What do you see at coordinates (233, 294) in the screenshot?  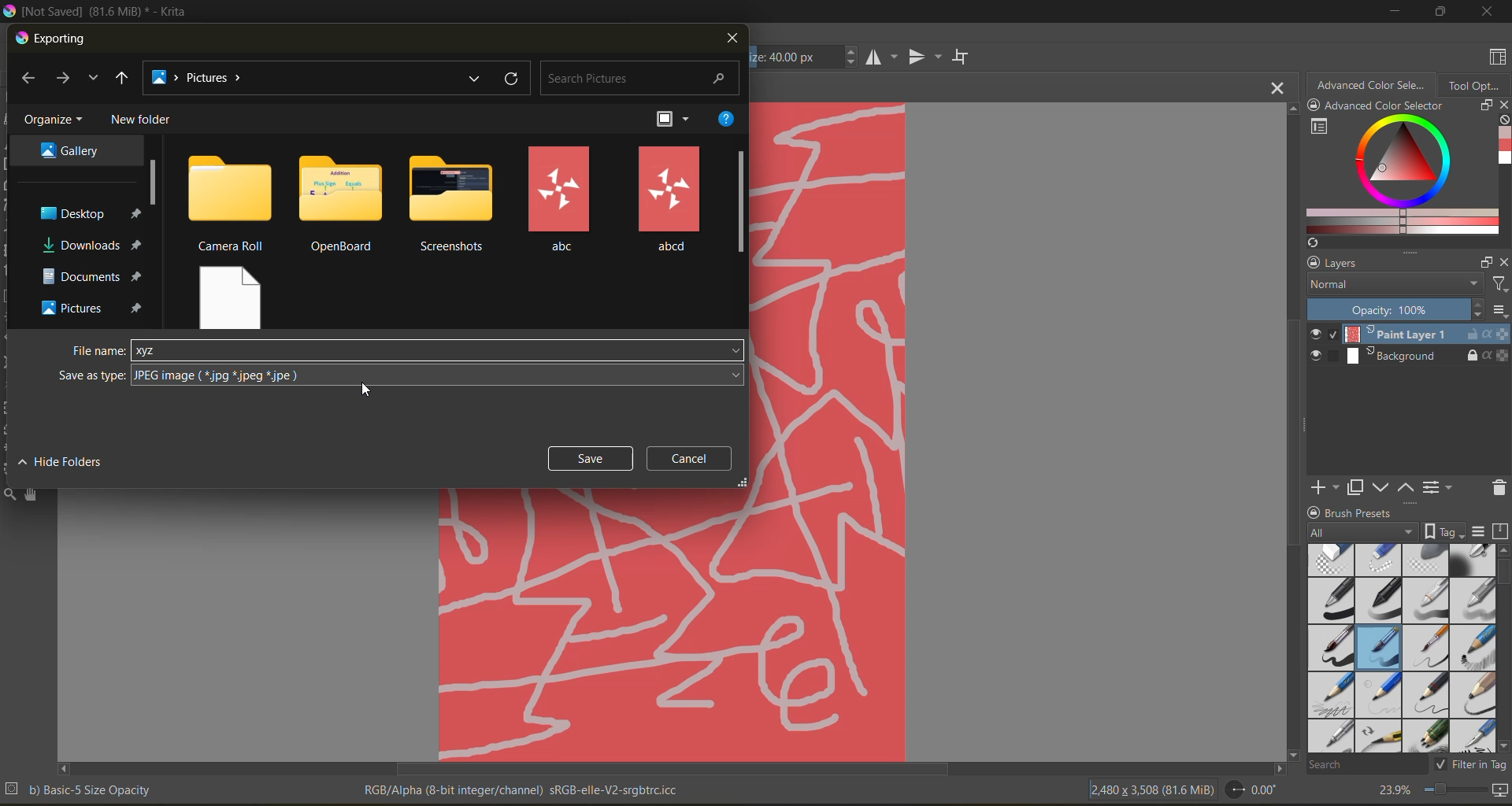 I see `folders` at bounding box center [233, 294].